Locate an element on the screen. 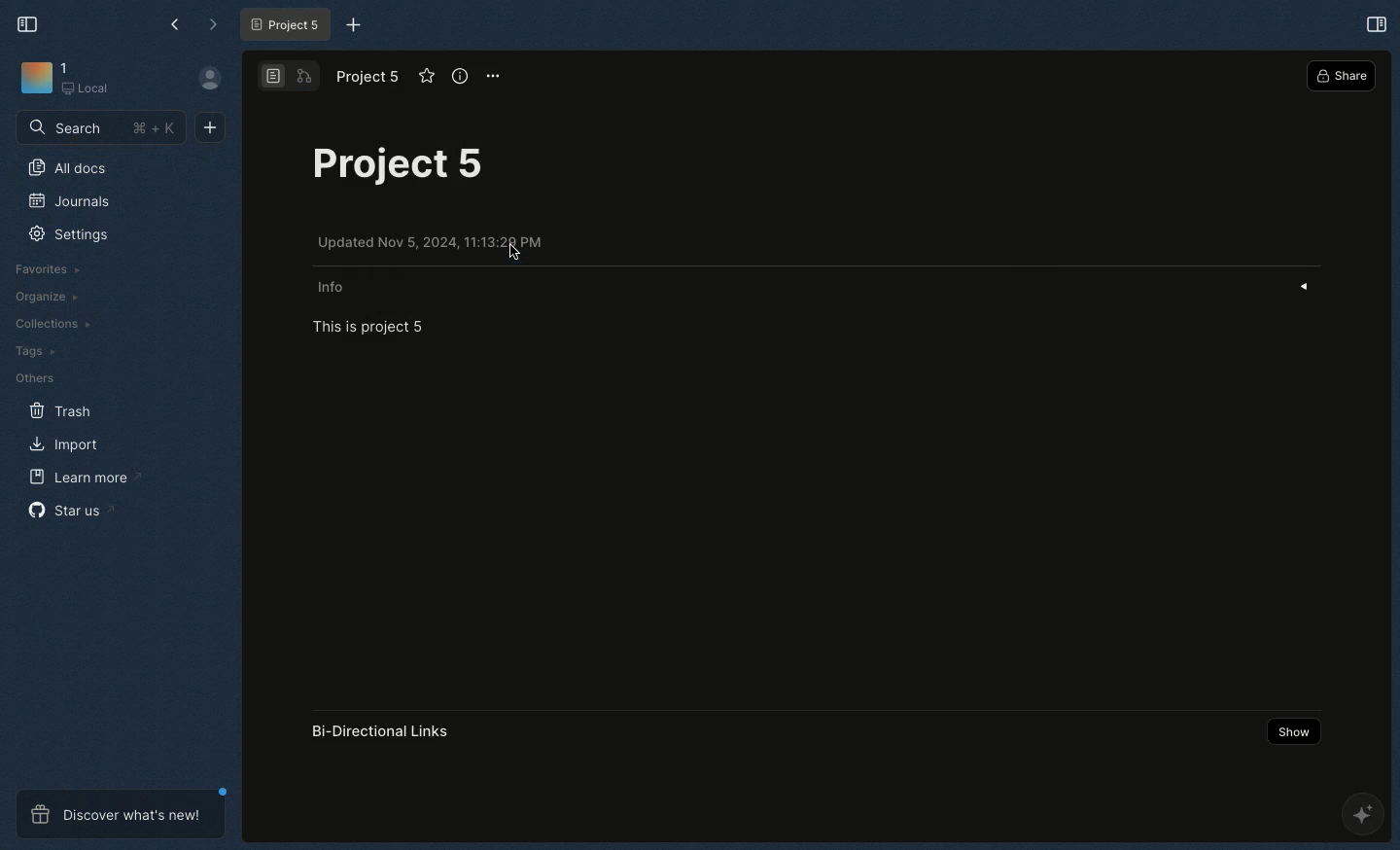 The width and height of the screenshot is (1400, 850). Project 5 is located at coordinates (368, 77).